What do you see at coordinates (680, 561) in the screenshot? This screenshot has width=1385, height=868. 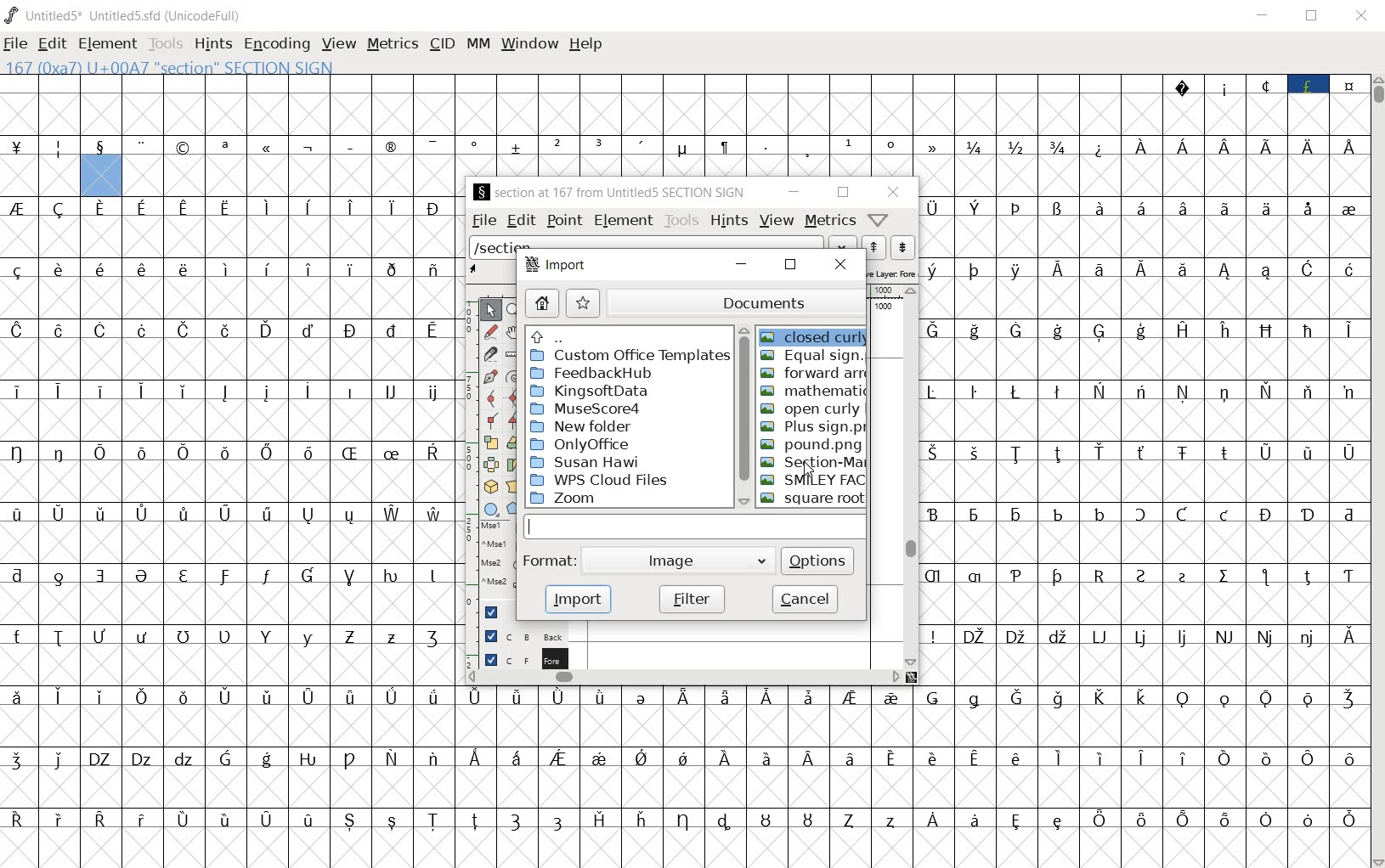 I see `image` at bounding box center [680, 561].